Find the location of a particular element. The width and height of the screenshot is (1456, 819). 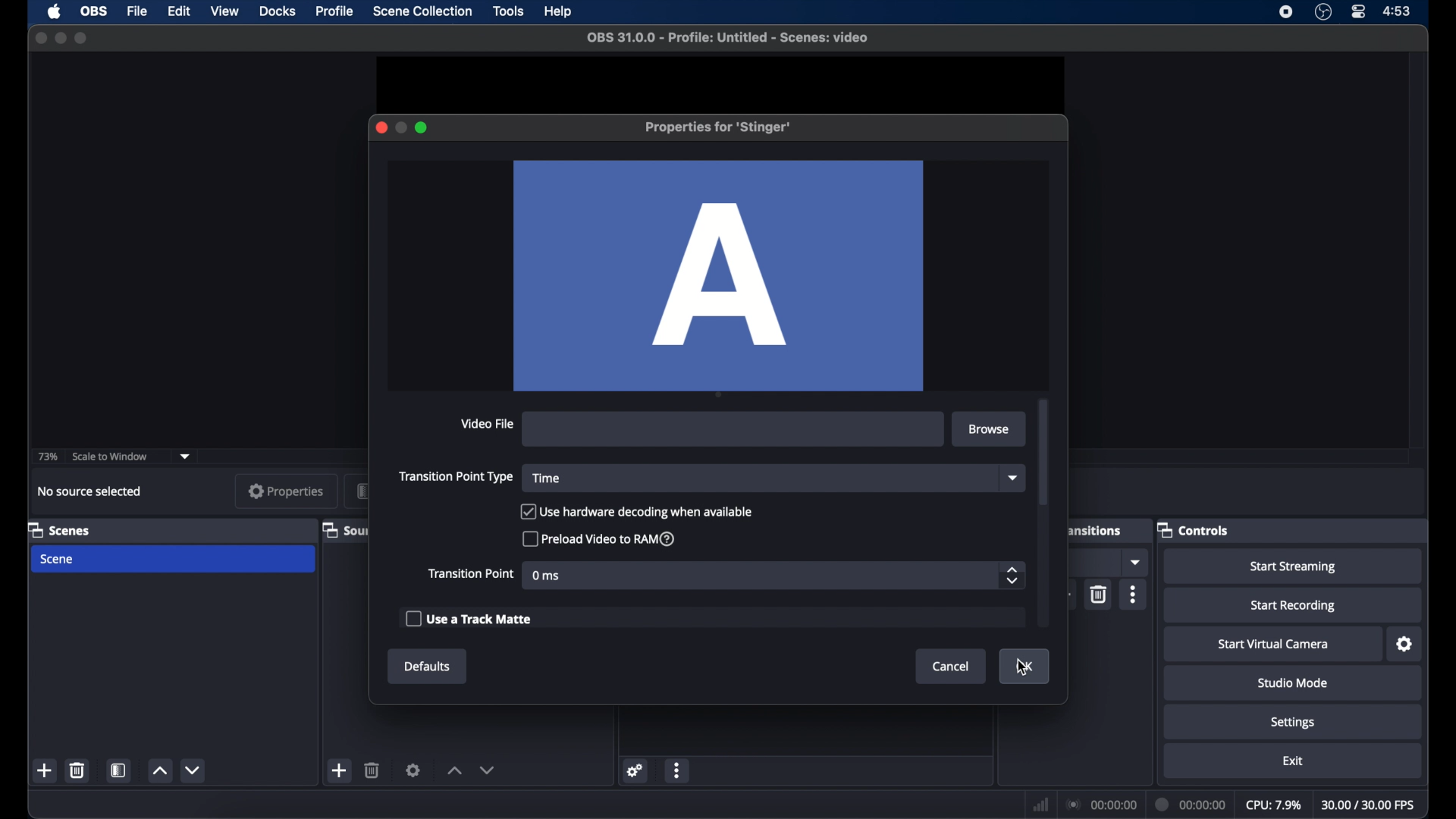

file is located at coordinates (137, 12).